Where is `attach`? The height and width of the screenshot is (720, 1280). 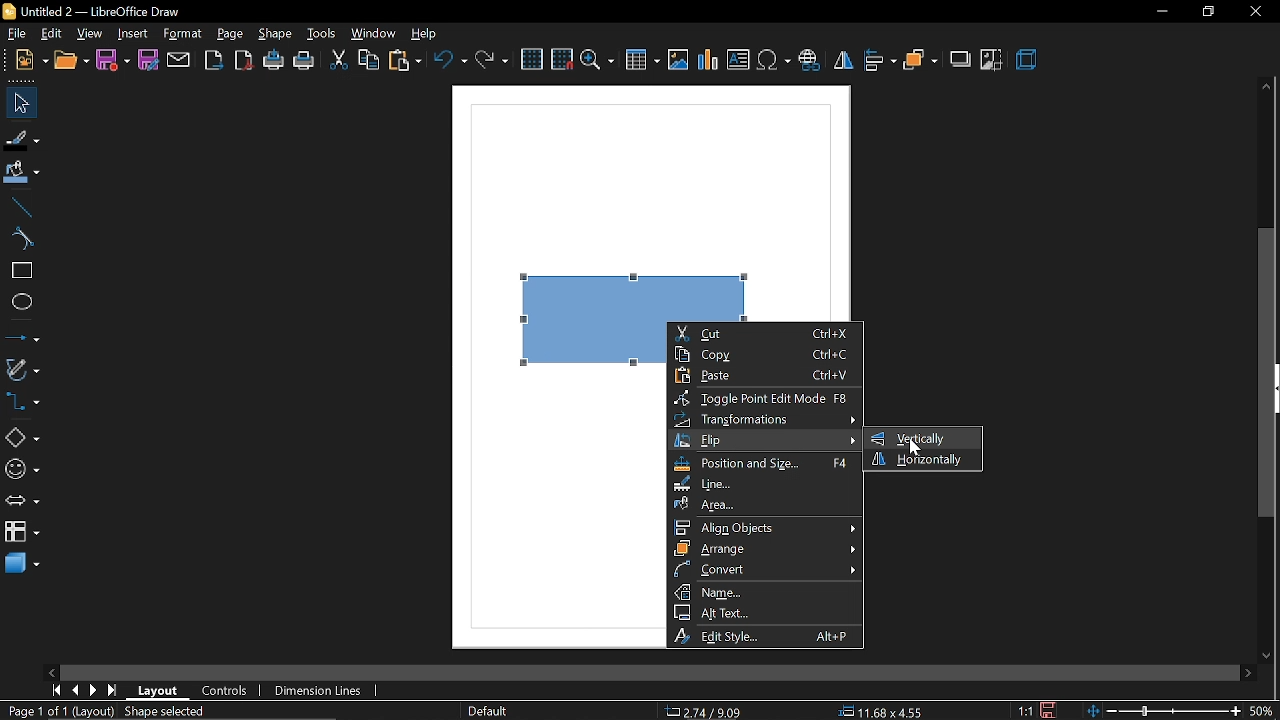 attach is located at coordinates (178, 62).